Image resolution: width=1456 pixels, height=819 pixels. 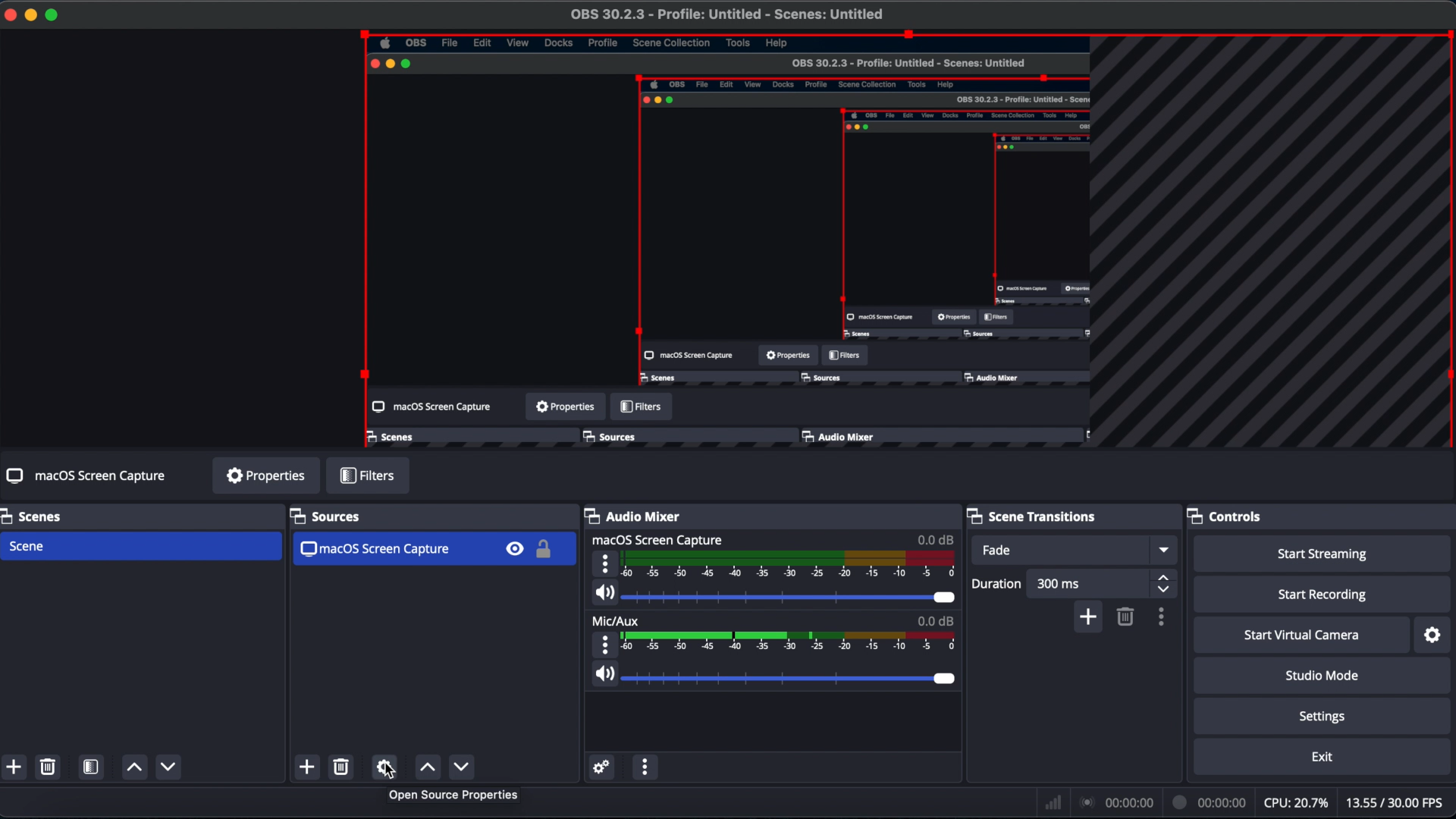 What do you see at coordinates (96, 474) in the screenshot?
I see `no source selected` at bounding box center [96, 474].